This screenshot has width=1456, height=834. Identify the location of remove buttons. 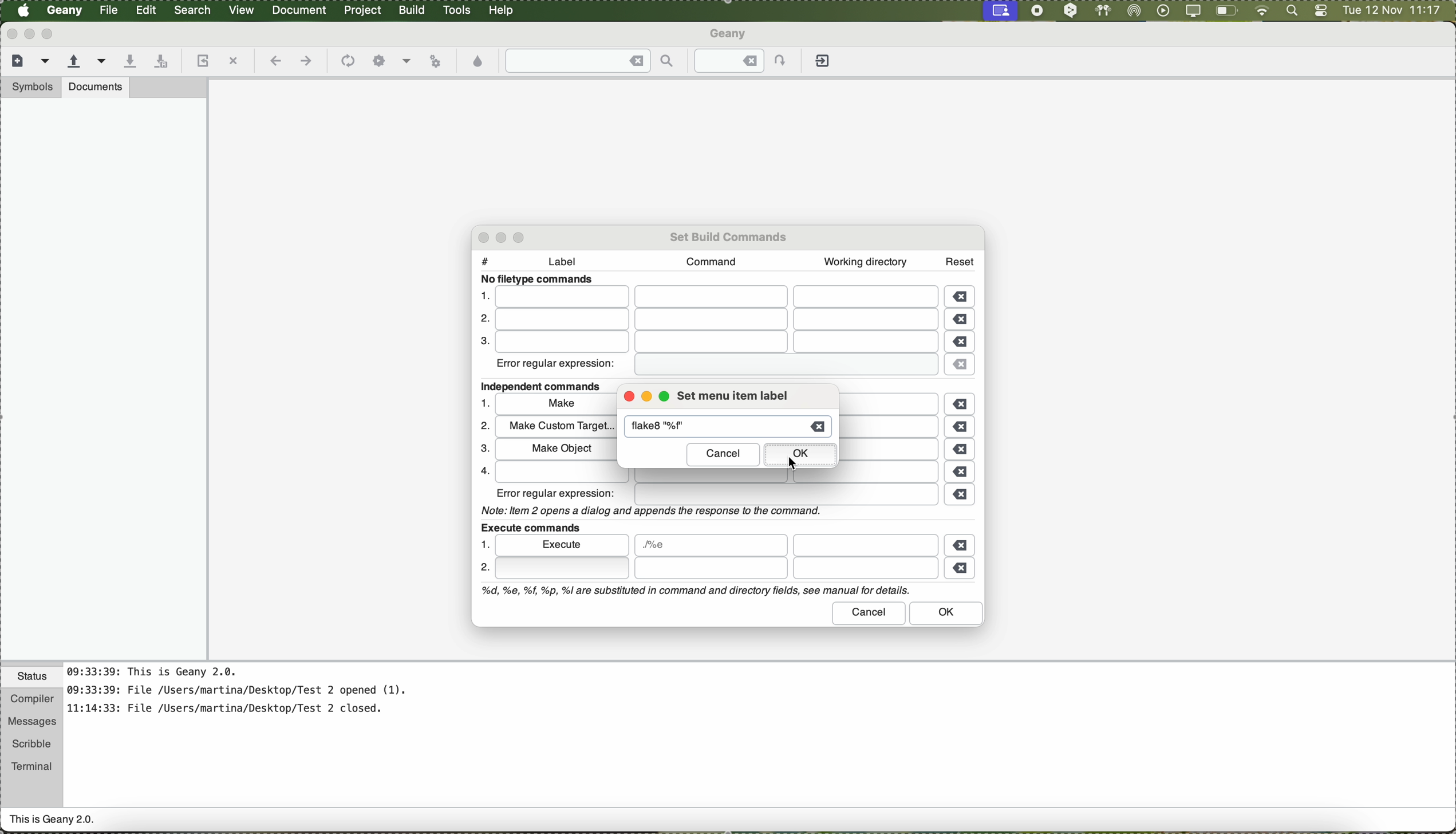
(962, 433).